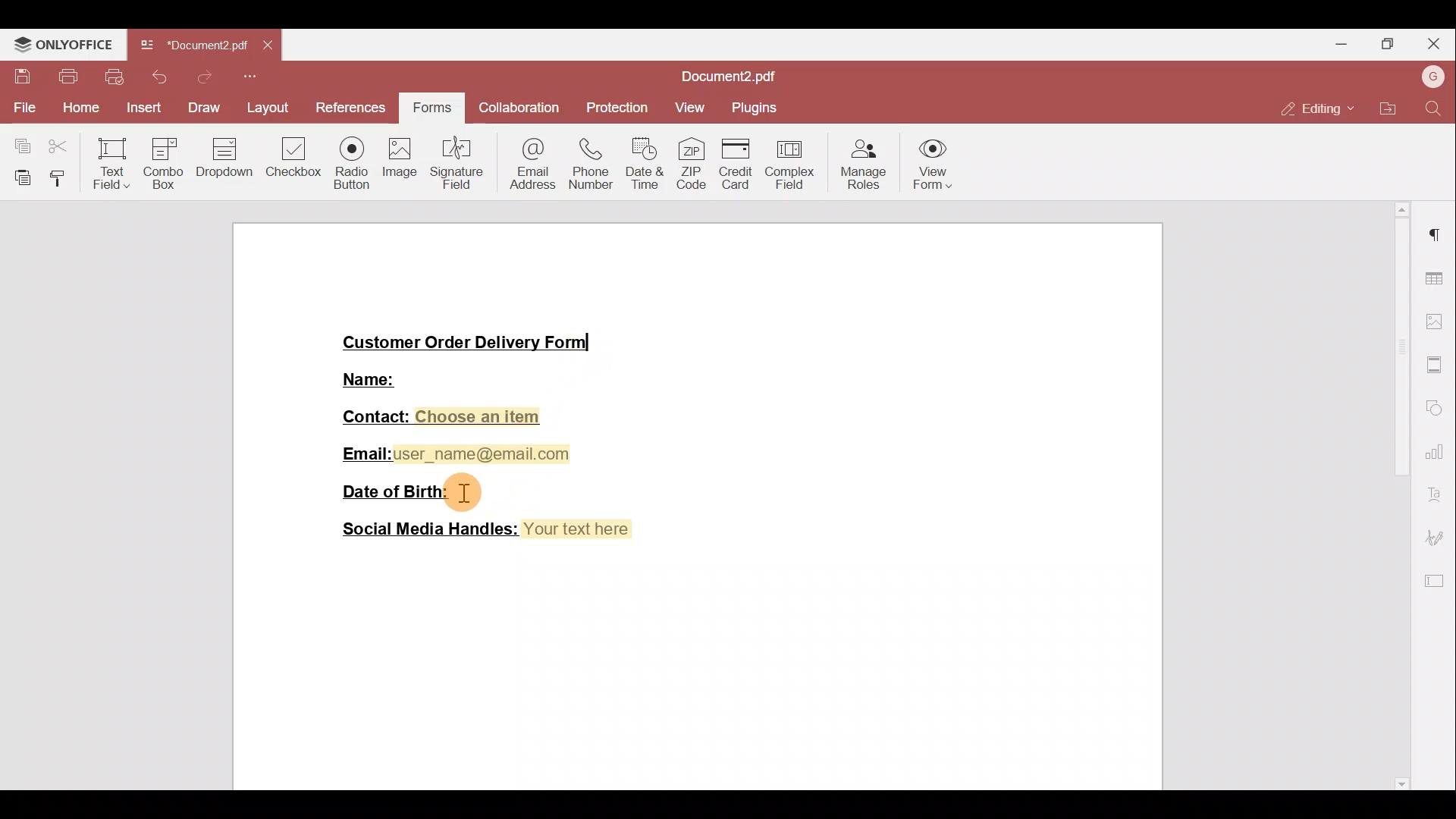 The height and width of the screenshot is (819, 1456). I want to click on Collaboration, so click(516, 109).